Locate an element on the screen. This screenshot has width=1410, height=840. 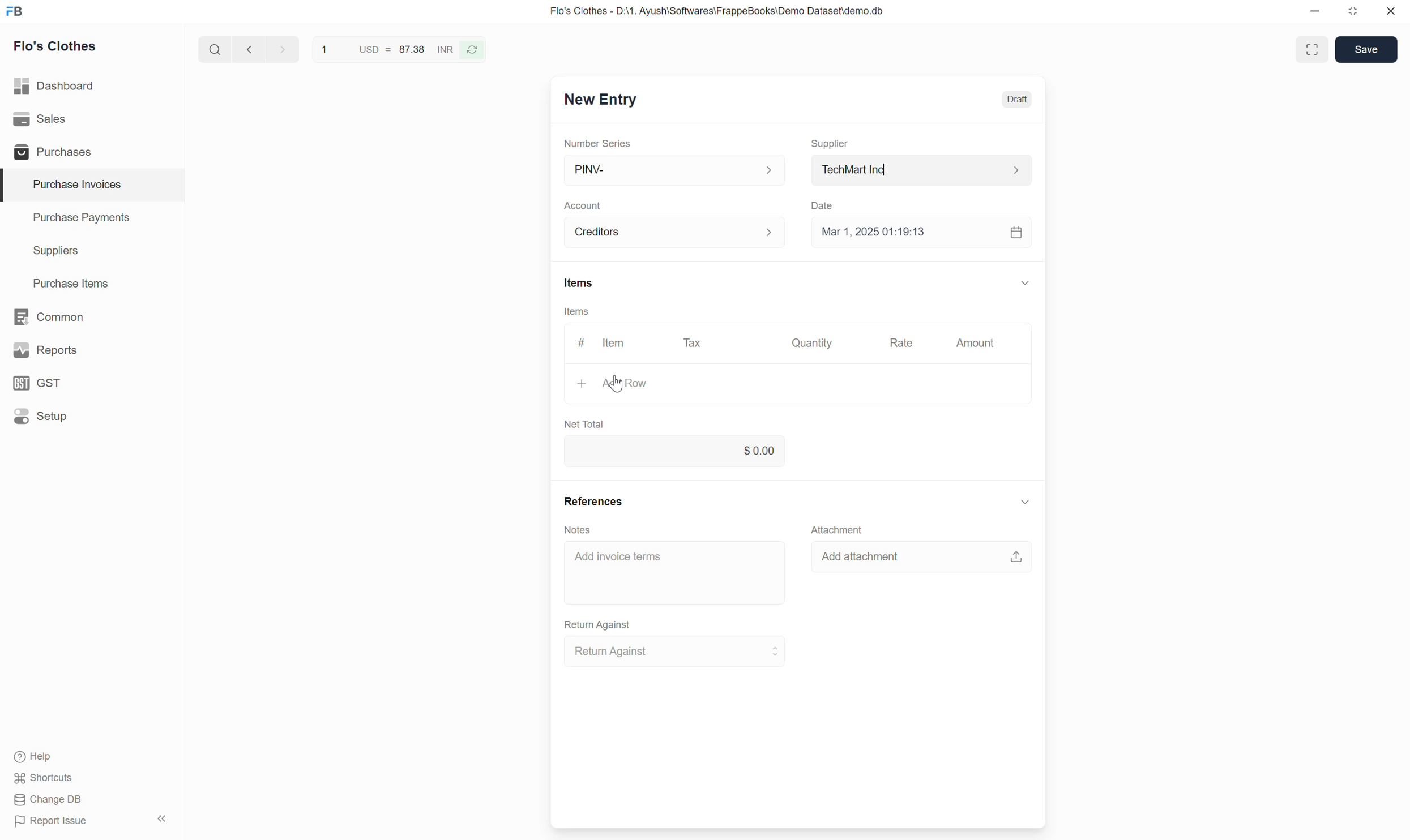
Amount is located at coordinates (973, 345).